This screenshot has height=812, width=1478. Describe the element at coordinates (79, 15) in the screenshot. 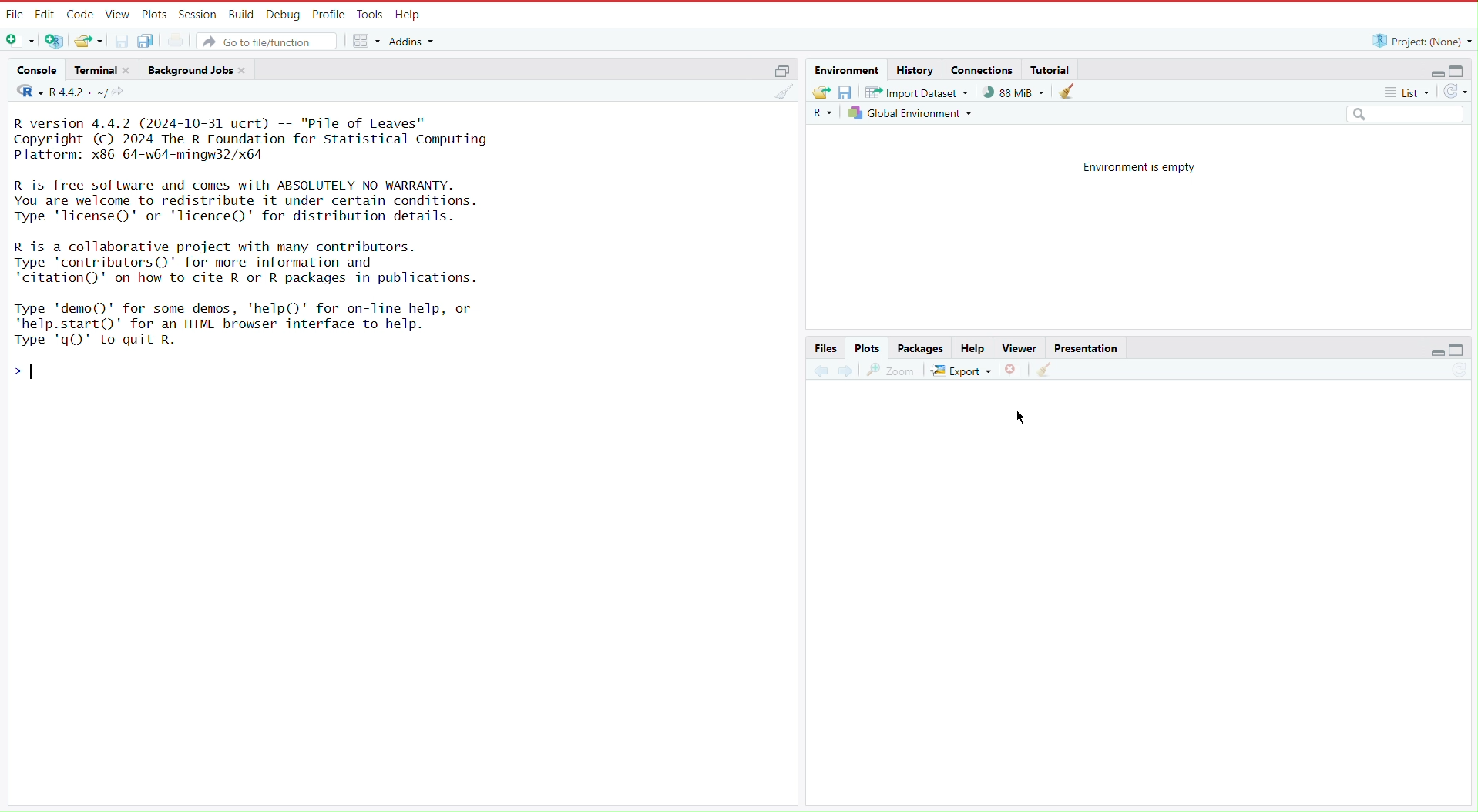

I see `Code` at that location.